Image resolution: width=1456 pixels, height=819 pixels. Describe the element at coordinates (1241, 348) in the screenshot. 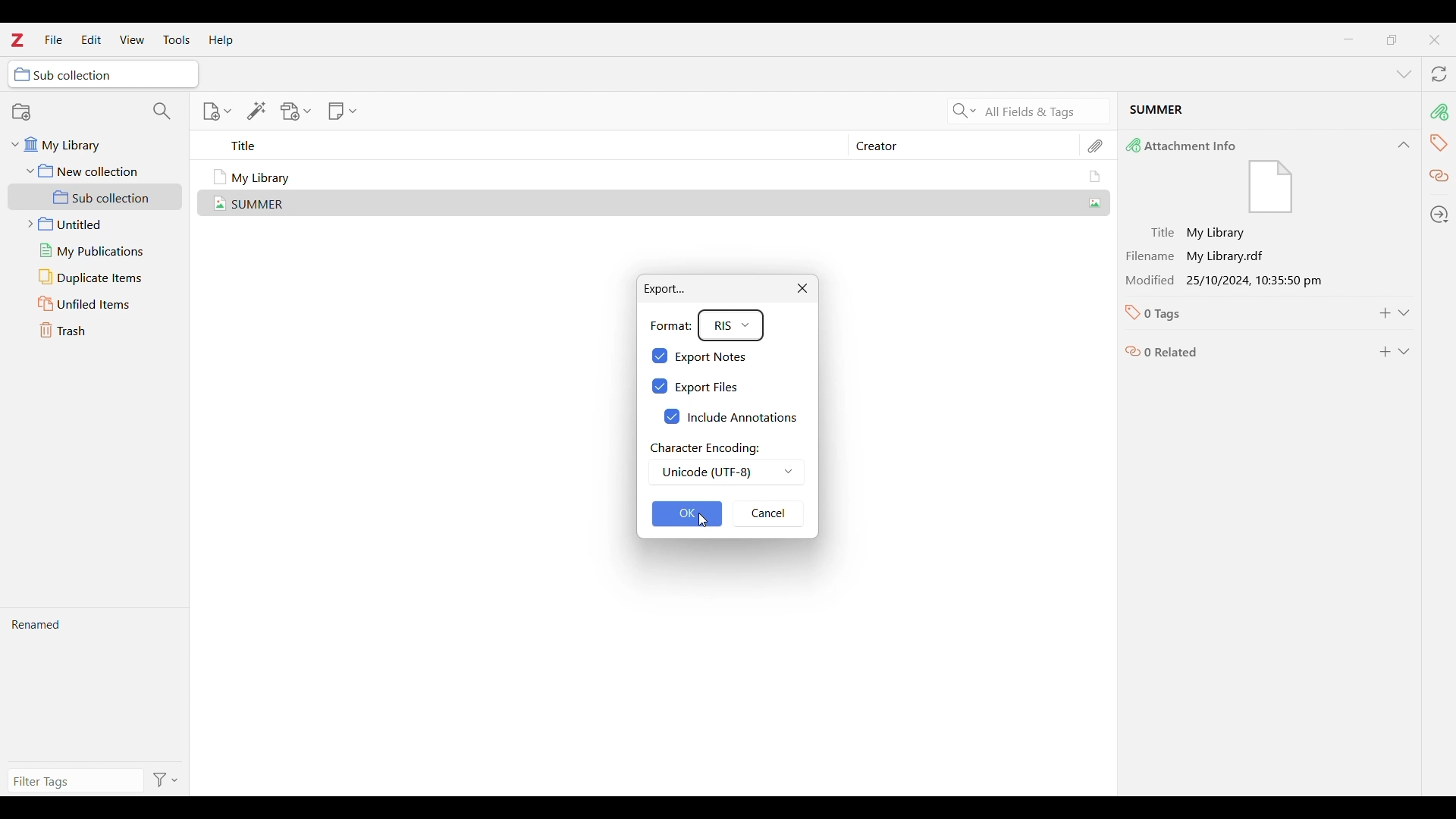

I see `0 related` at that location.